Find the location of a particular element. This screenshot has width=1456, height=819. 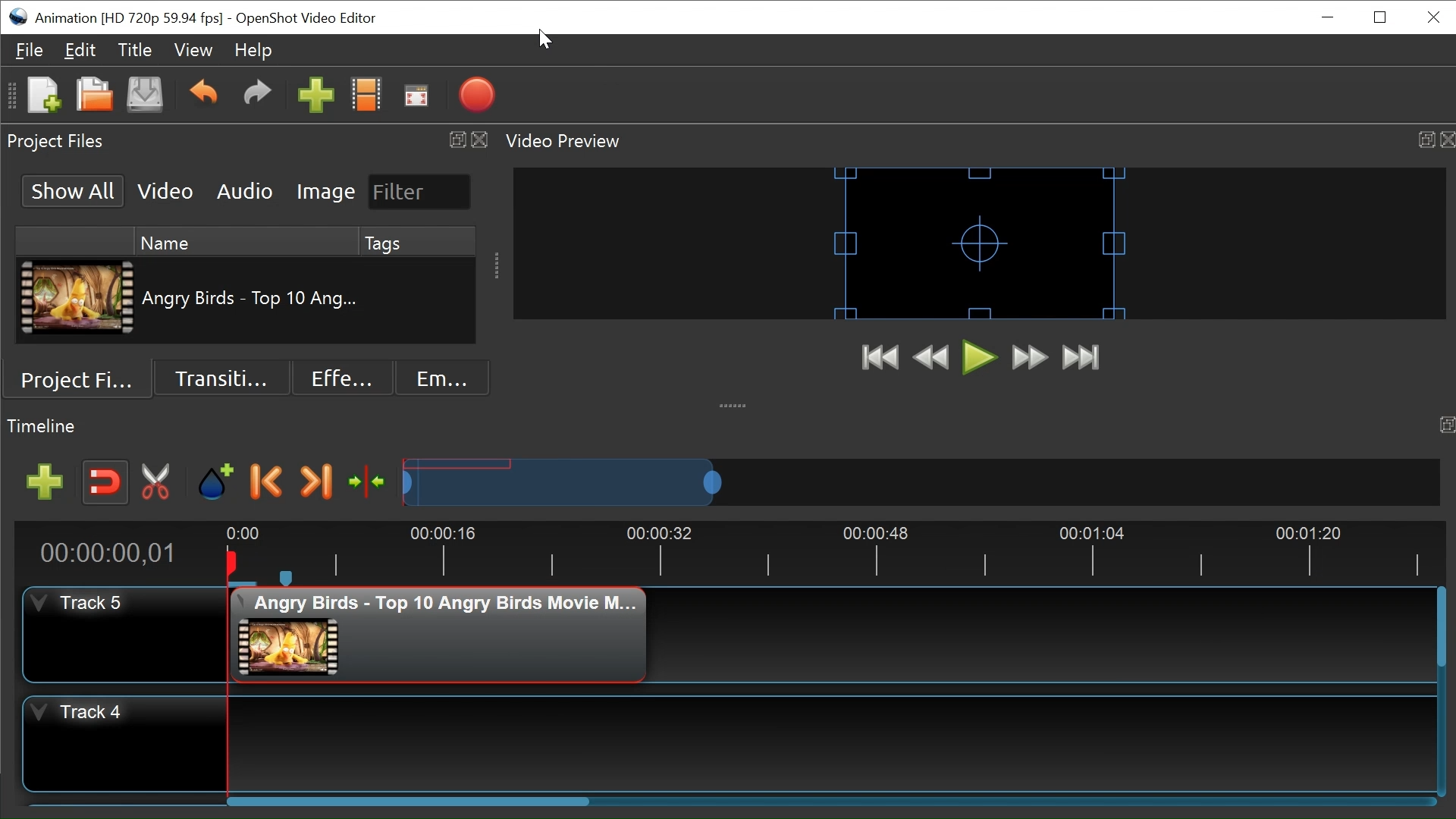

Zoom Slider is located at coordinates (922, 483).